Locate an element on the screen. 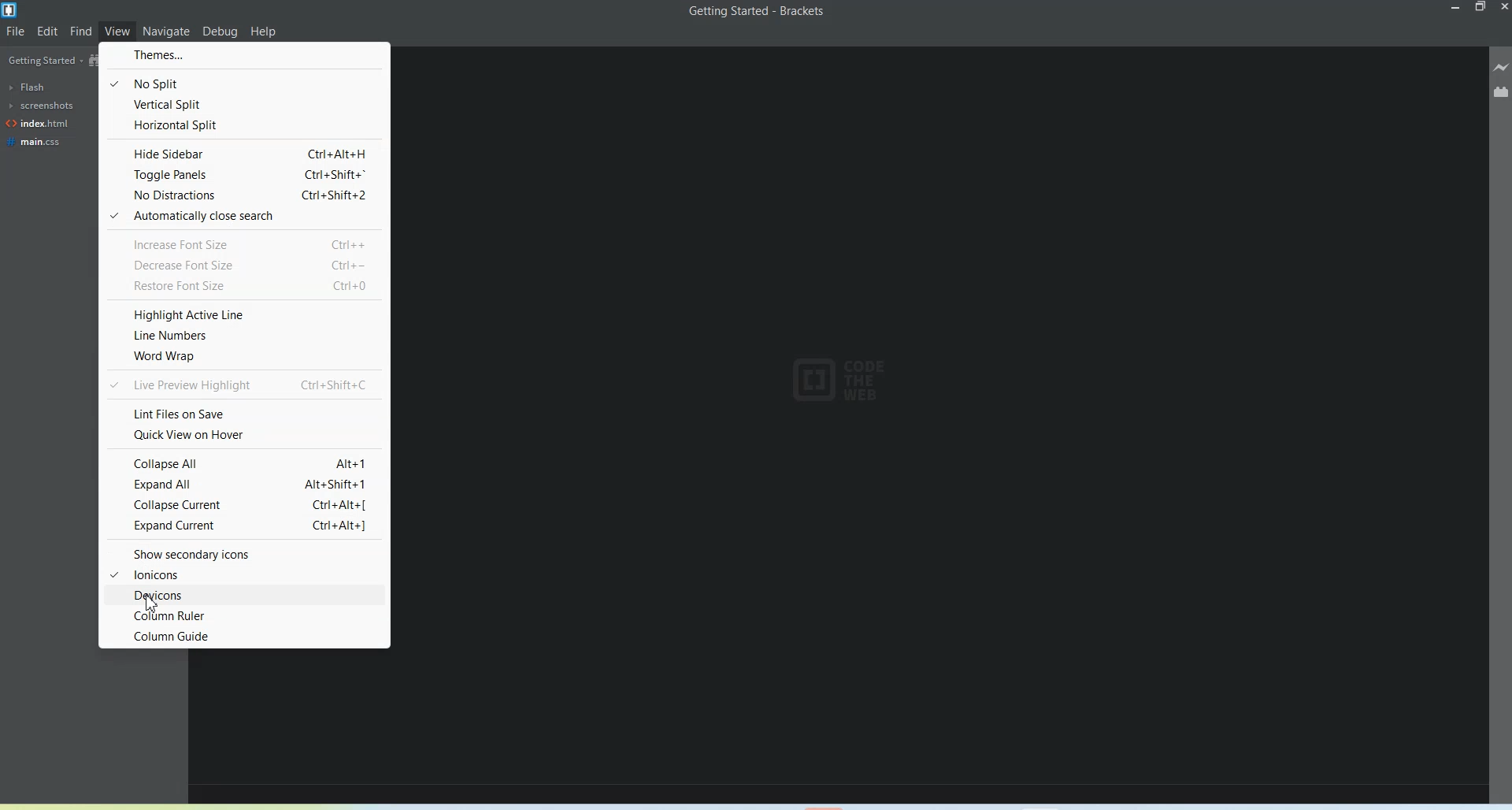 This screenshot has height=810, width=1512. Getting Started is located at coordinates (43, 61).